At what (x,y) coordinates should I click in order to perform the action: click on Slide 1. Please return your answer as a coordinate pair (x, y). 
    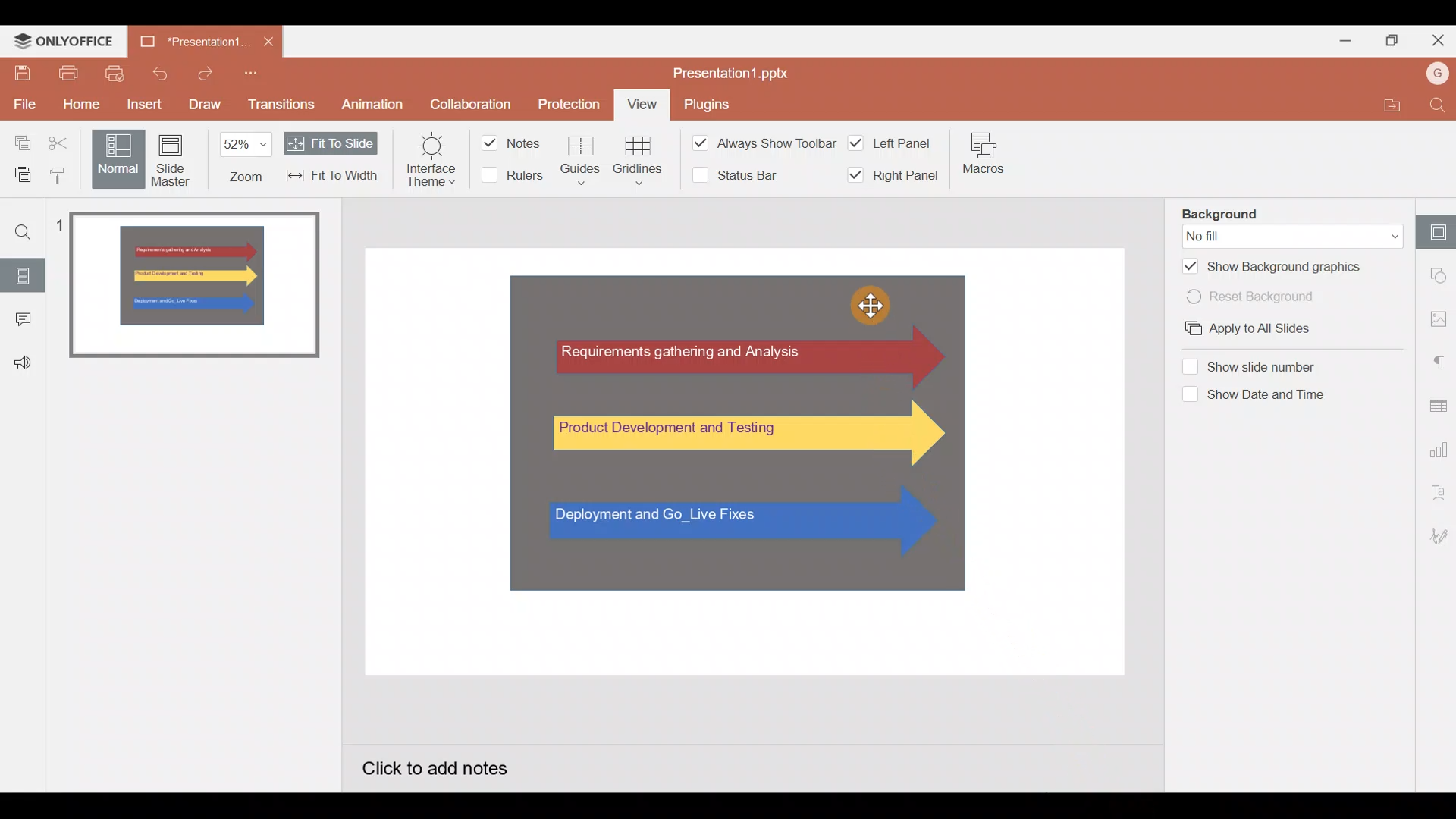
    Looking at the image, I should click on (196, 287).